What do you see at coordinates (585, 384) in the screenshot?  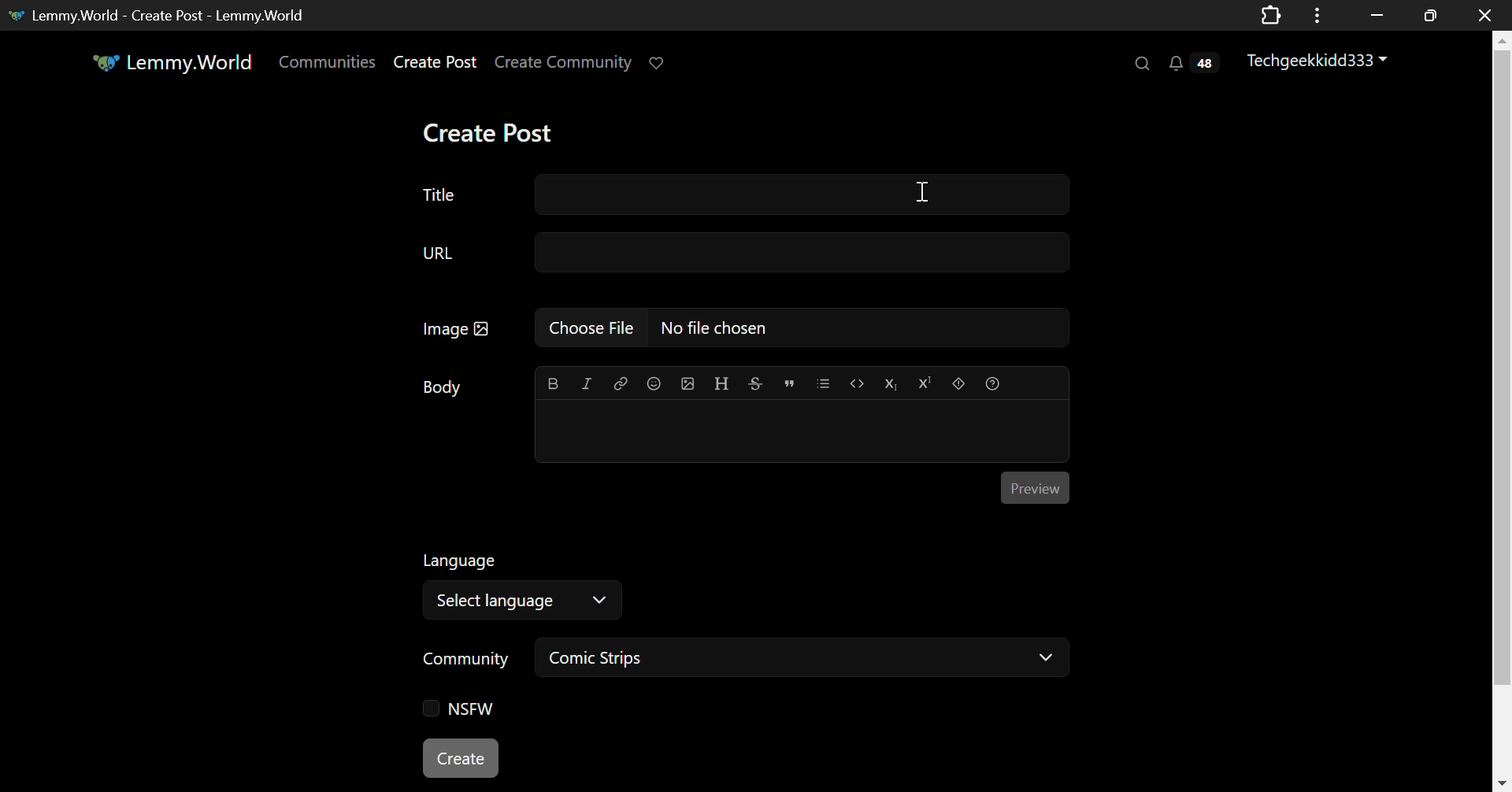 I see `italic` at bounding box center [585, 384].